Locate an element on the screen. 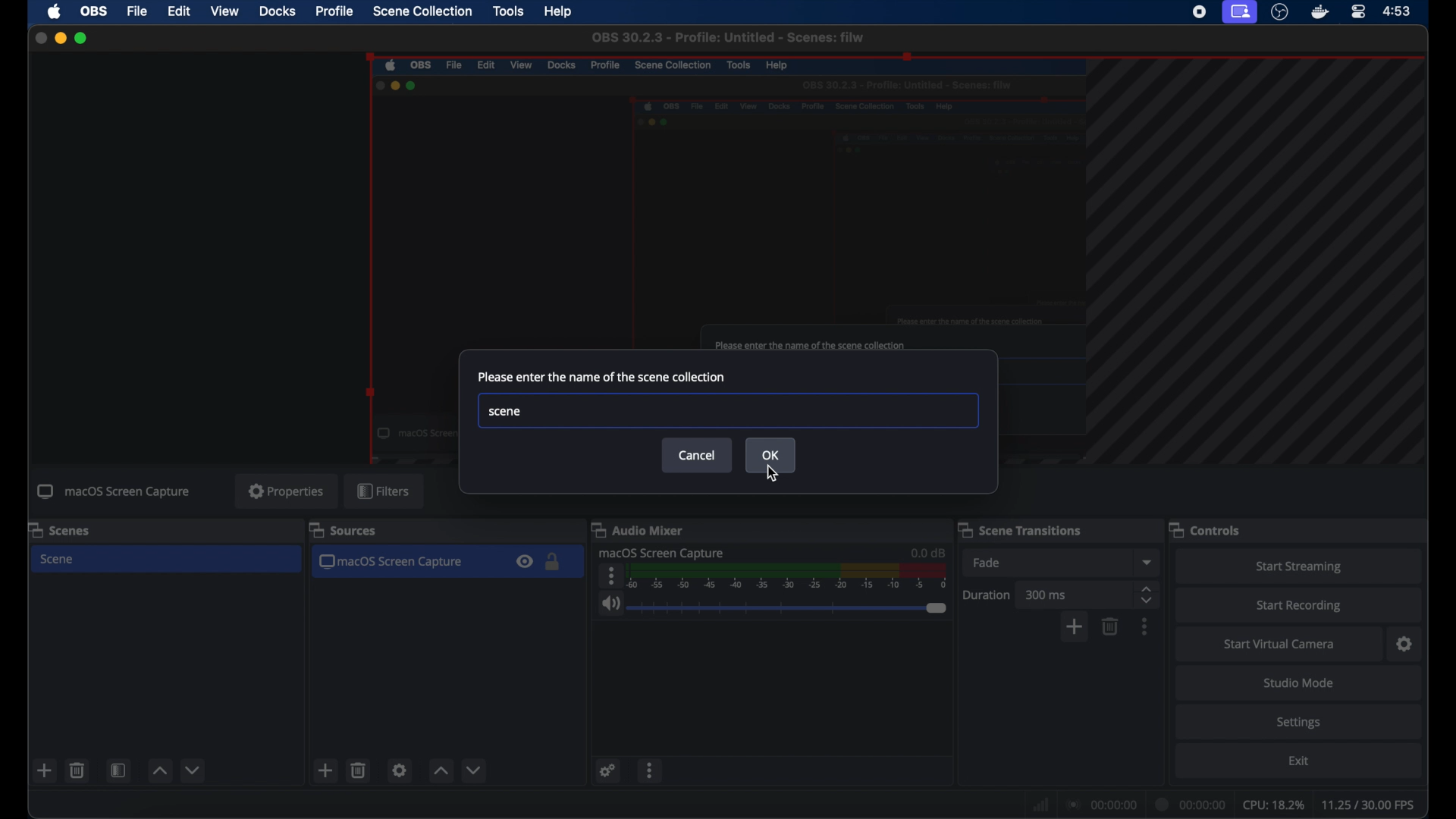 The height and width of the screenshot is (819, 1456). add scene is located at coordinates (325, 770).